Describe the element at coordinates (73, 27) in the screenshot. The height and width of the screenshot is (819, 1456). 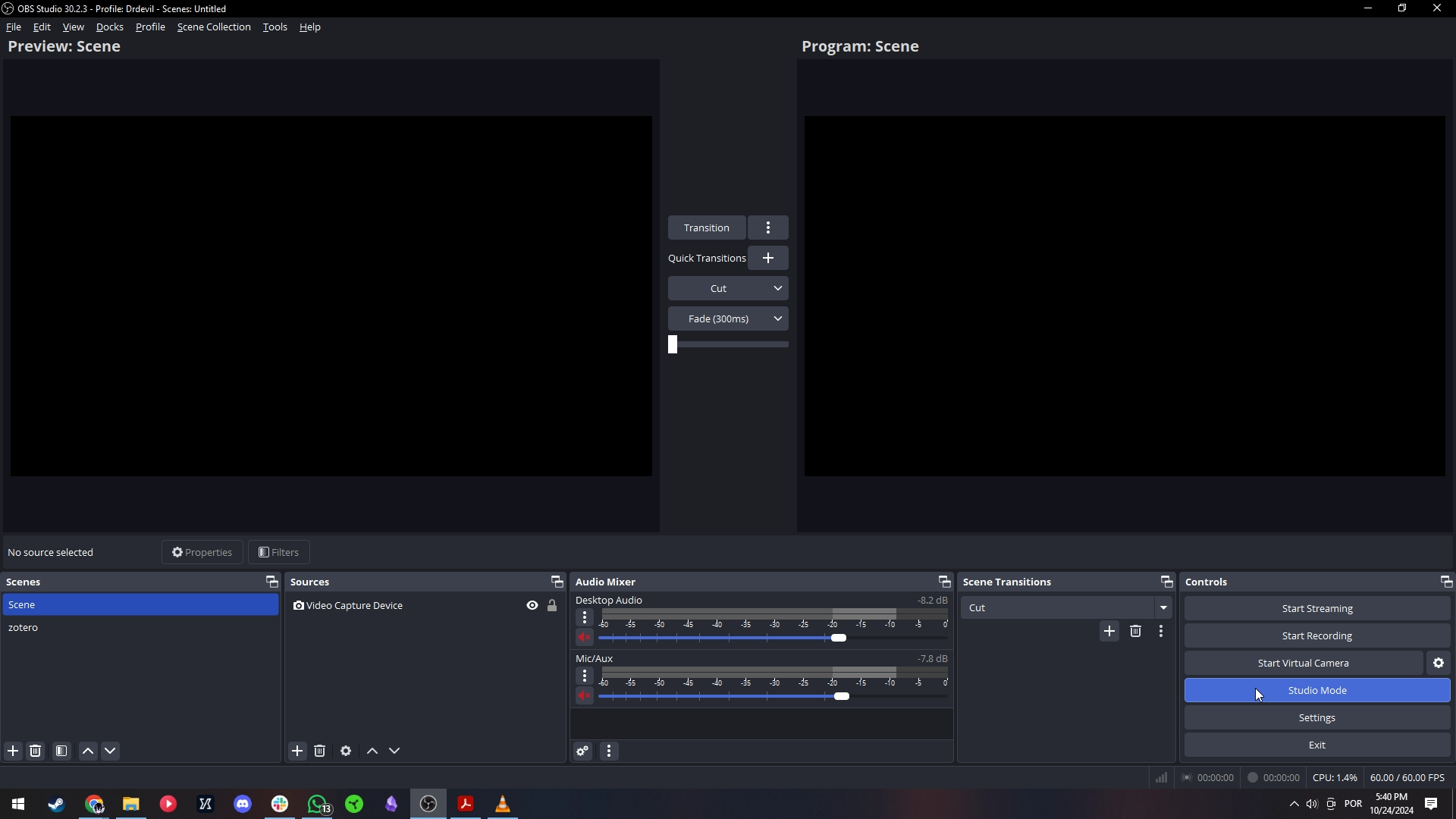
I see `View` at that location.